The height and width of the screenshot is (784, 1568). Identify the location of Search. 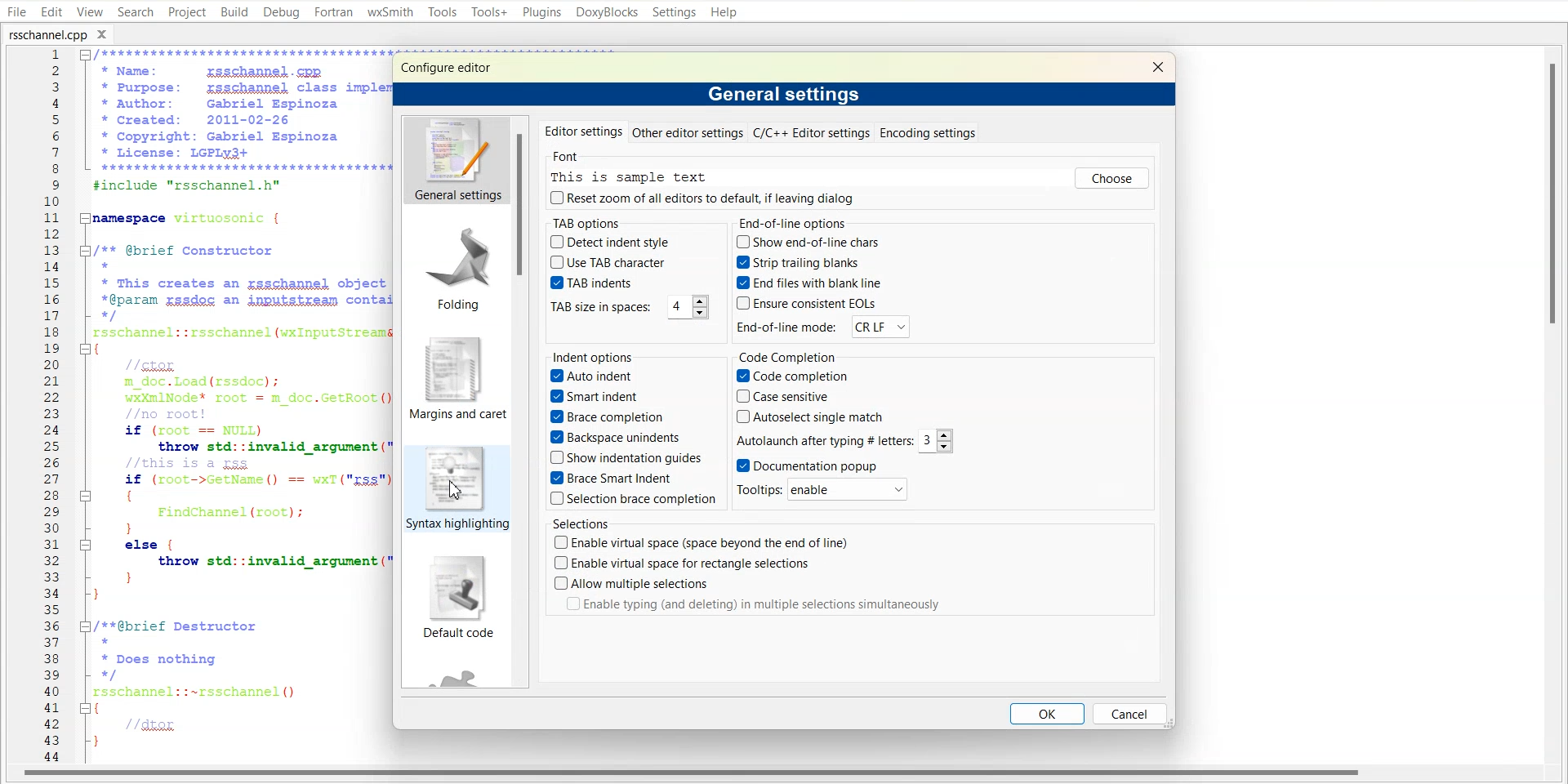
(136, 11).